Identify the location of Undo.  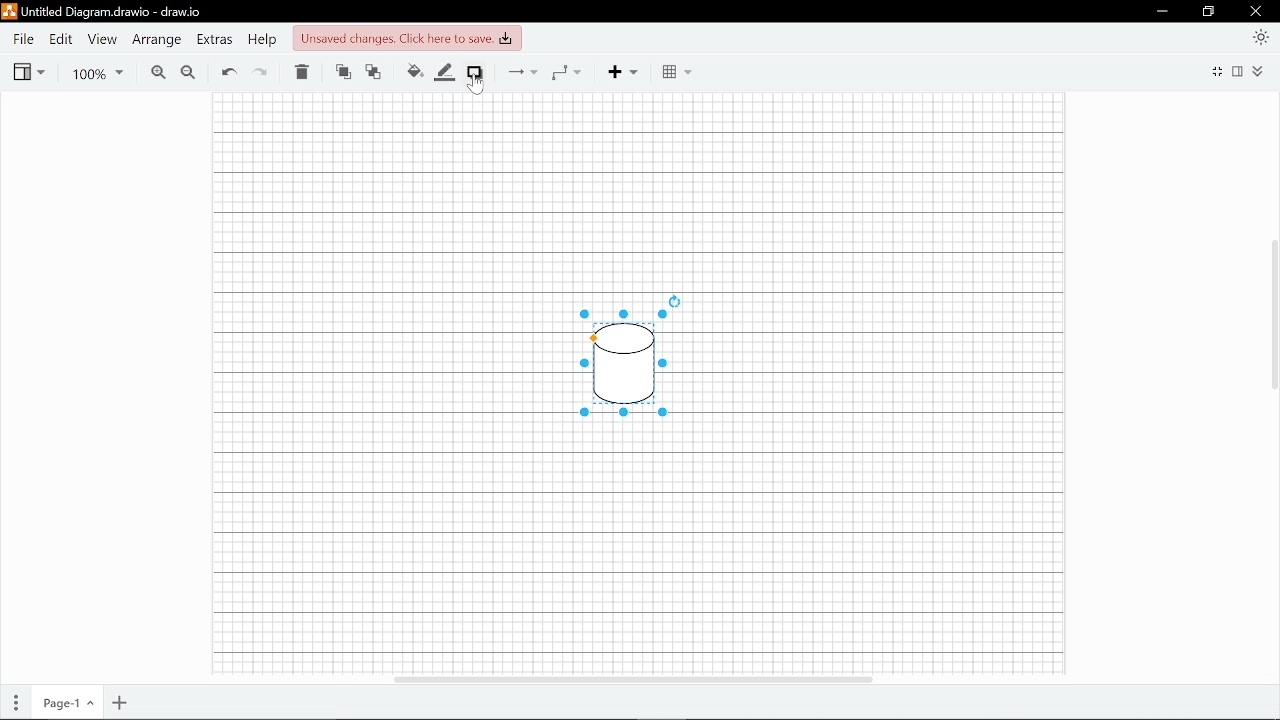
(229, 72).